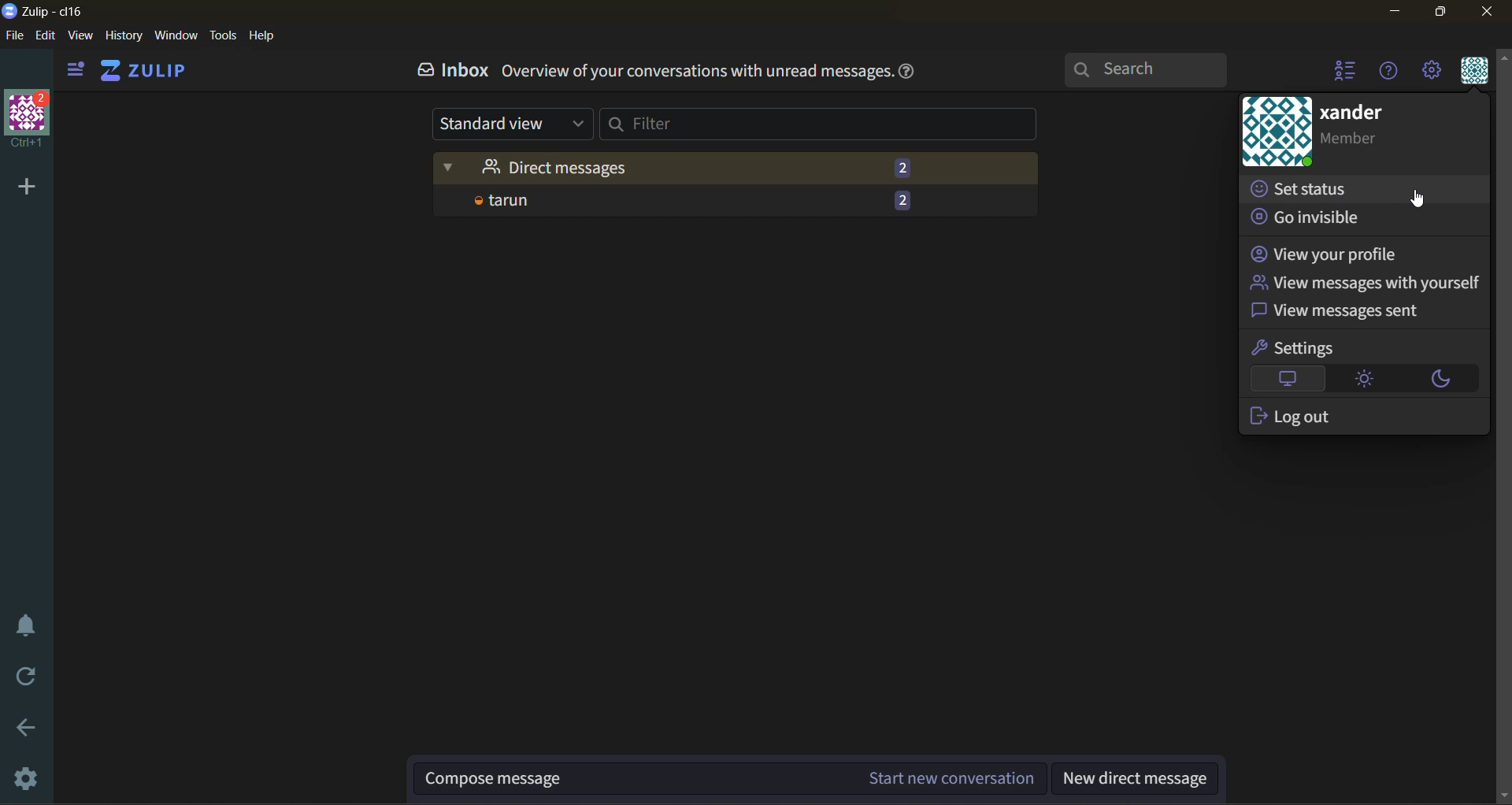 The height and width of the screenshot is (805, 1512). Describe the element at coordinates (85, 36) in the screenshot. I see `view` at that location.